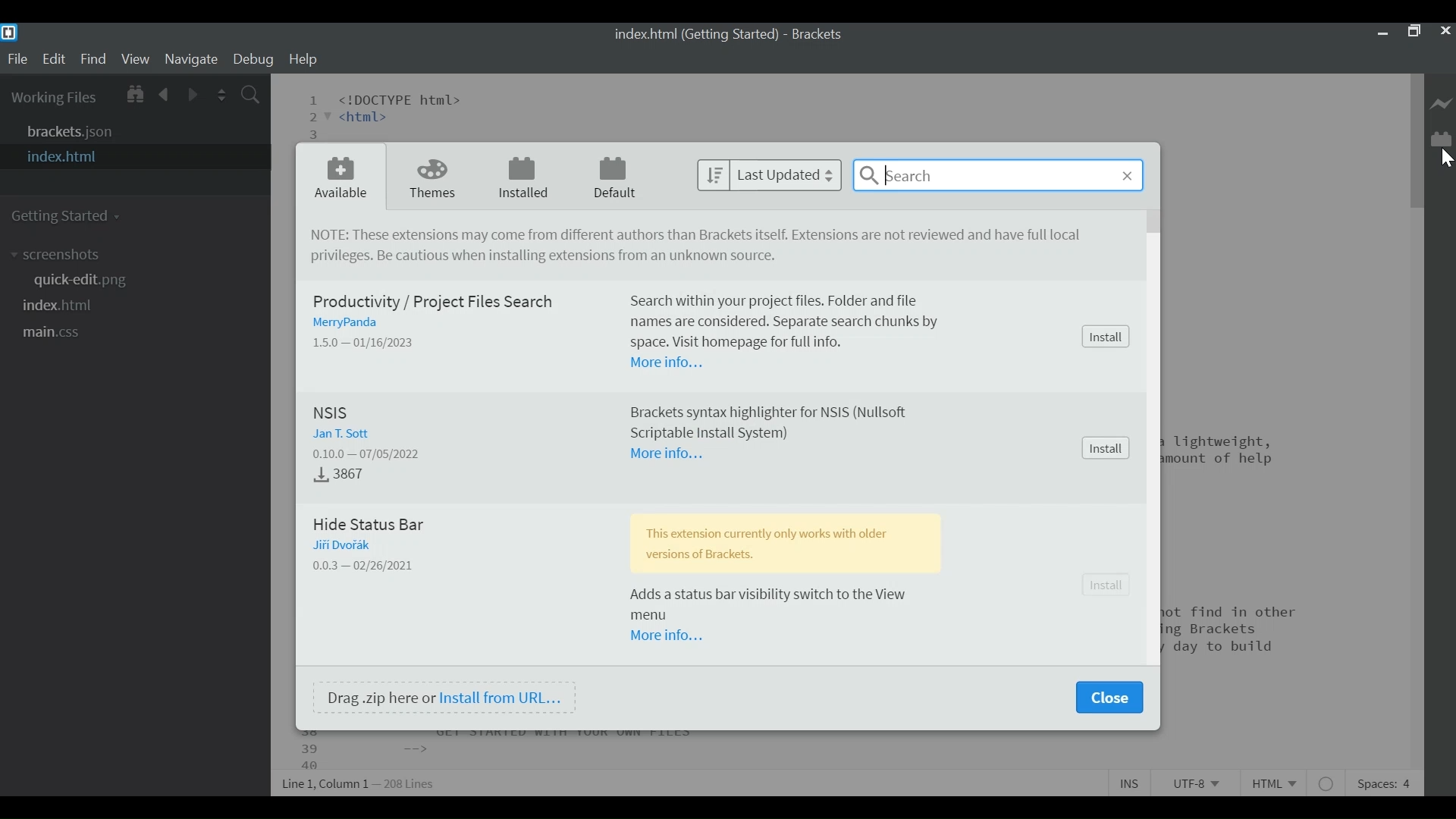 The height and width of the screenshot is (819, 1456). I want to click on Toggle Insert or Overwrite, so click(1131, 783).